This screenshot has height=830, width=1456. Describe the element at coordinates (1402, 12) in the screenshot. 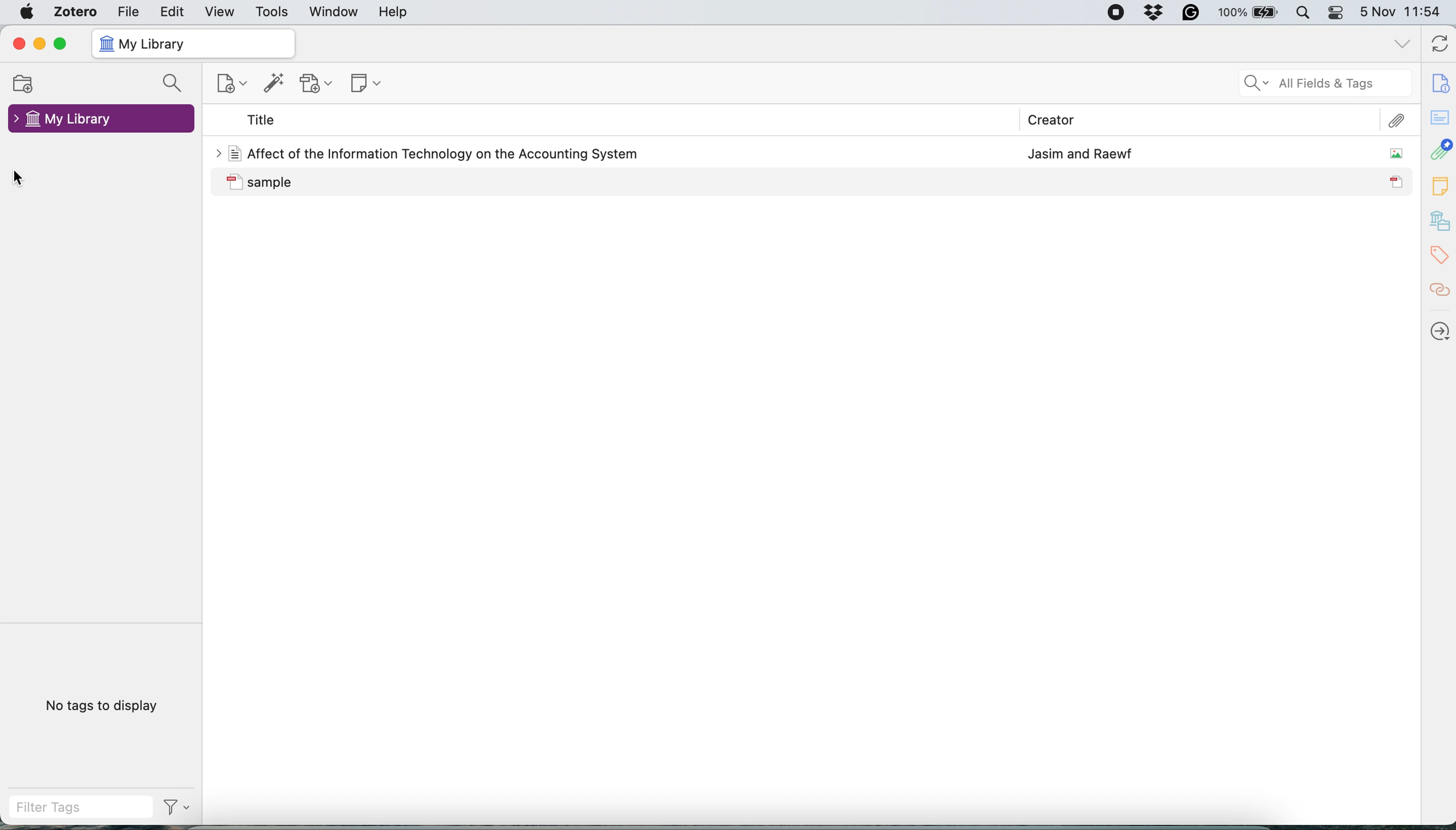

I see `date and time` at that location.